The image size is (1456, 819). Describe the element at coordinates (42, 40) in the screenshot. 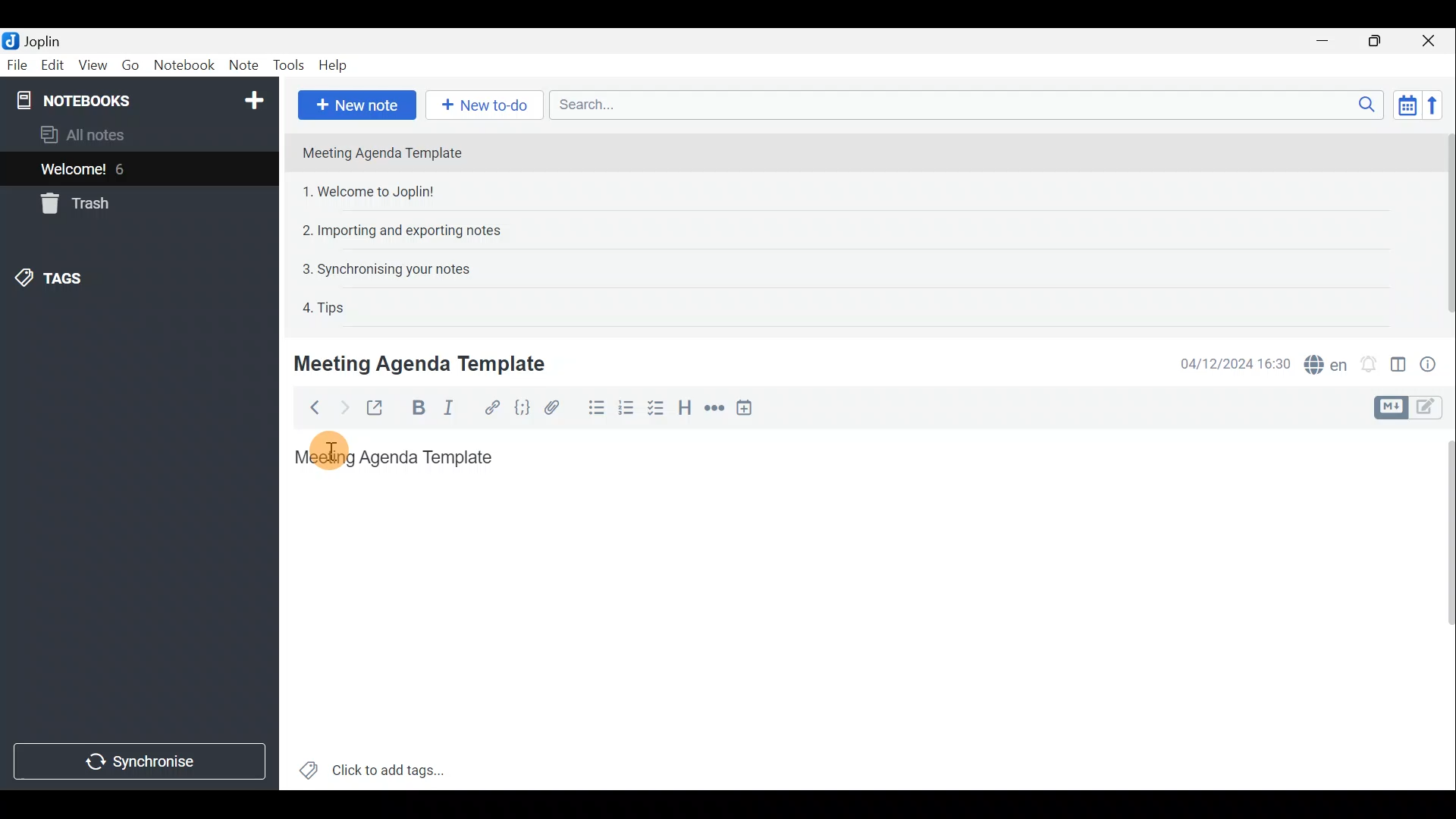

I see `Joplin` at that location.